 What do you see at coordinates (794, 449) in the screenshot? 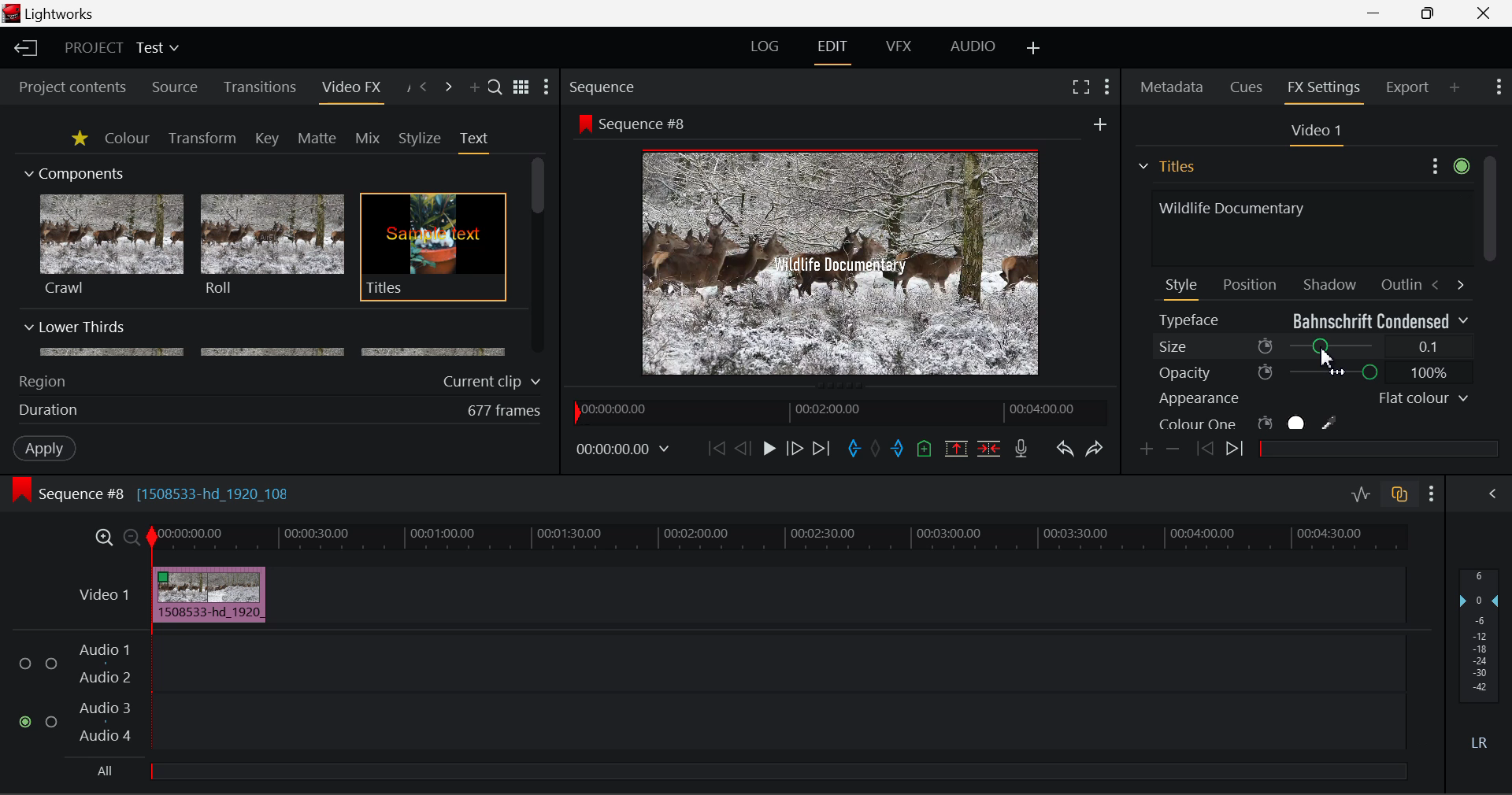
I see `Go Forward` at bounding box center [794, 449].